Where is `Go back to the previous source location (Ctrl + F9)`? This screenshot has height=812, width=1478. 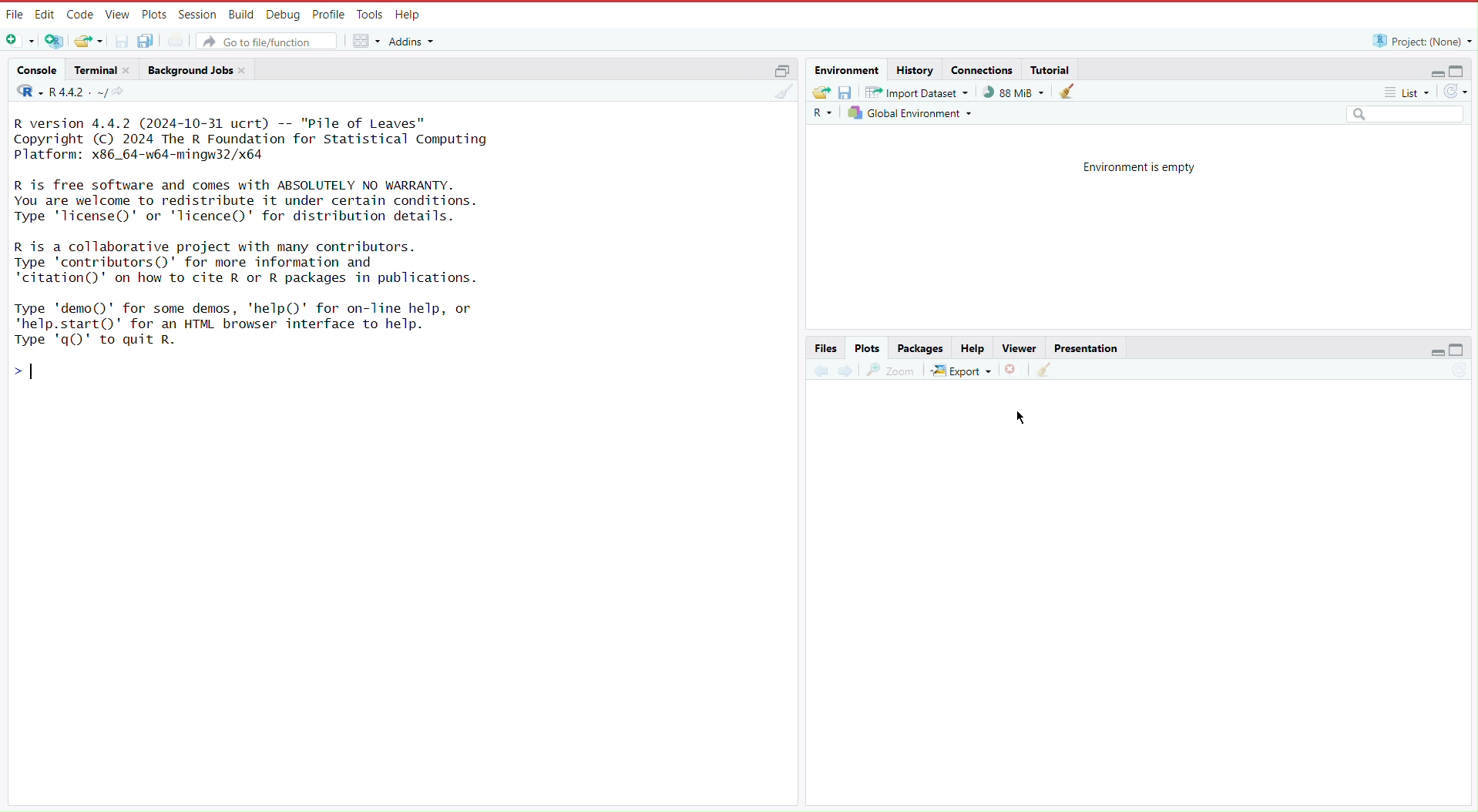 Go back to the previous source location (Ctrl + F9) is located at coordinates (821, 368).